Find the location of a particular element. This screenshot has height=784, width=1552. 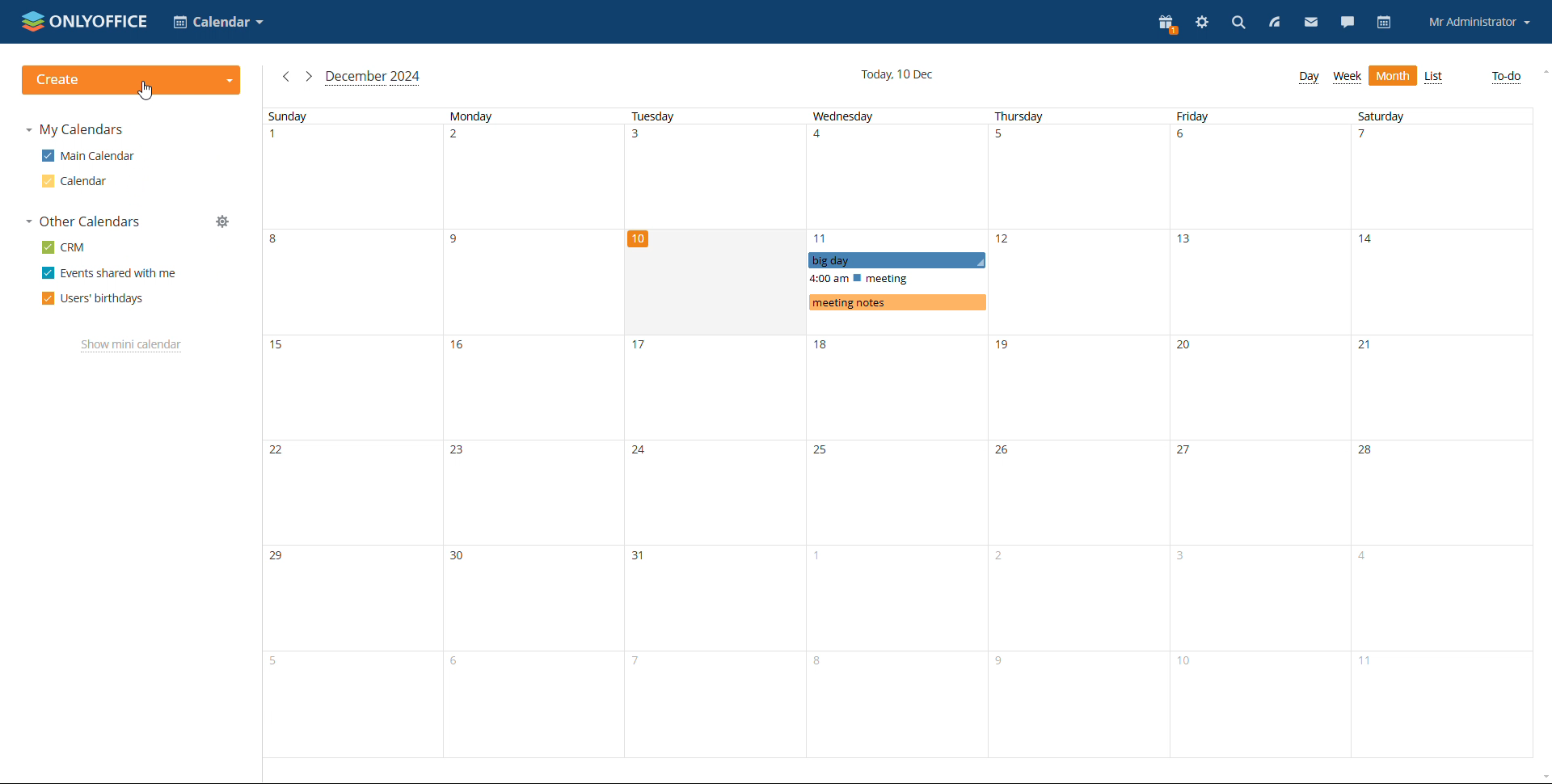

tuesday is located at coordinates (715, 432).